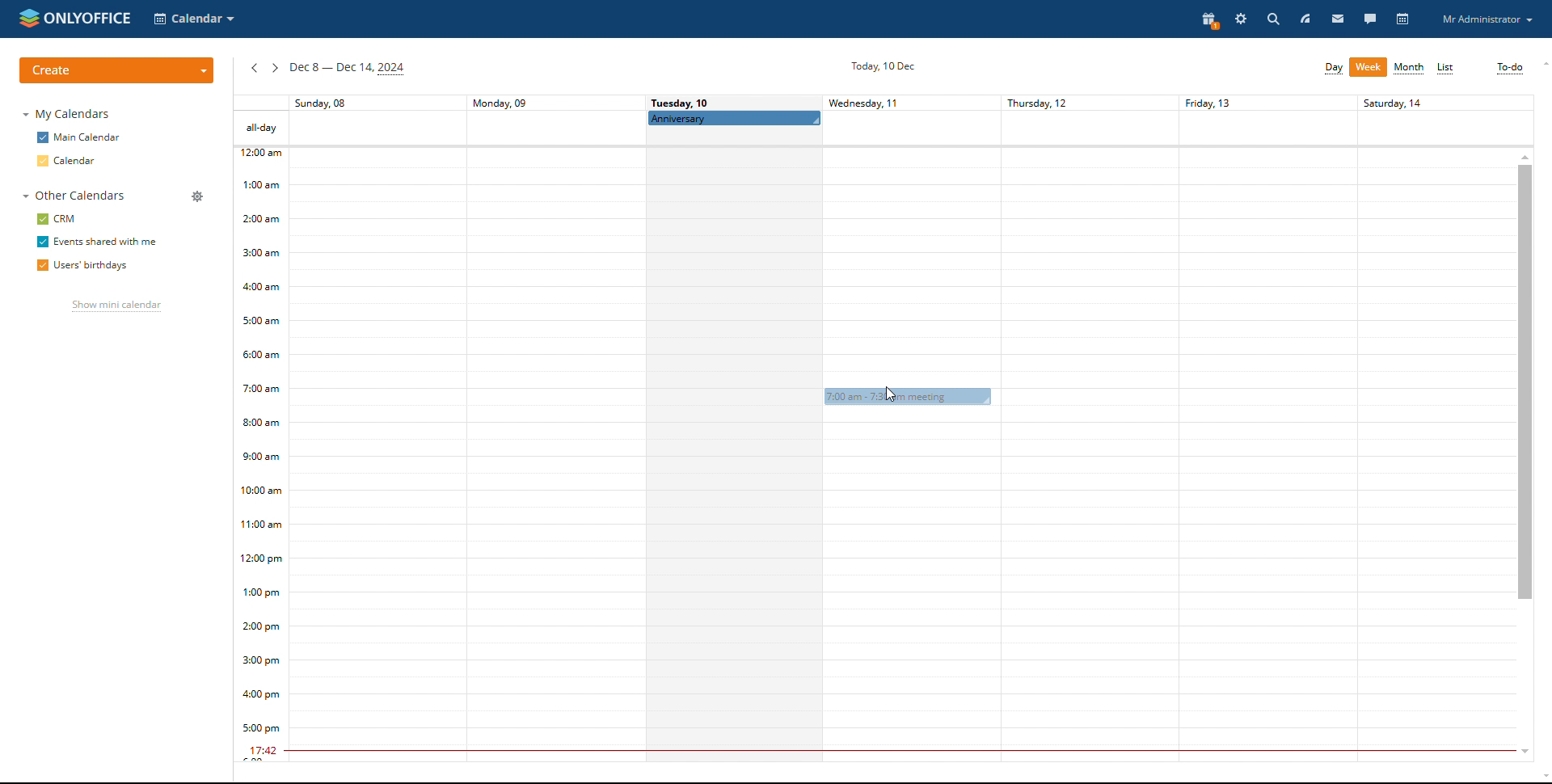  What do you see at coordinates (1242, 20) in the screenshot?
I see `settings` at bounding box center [1242, 20].